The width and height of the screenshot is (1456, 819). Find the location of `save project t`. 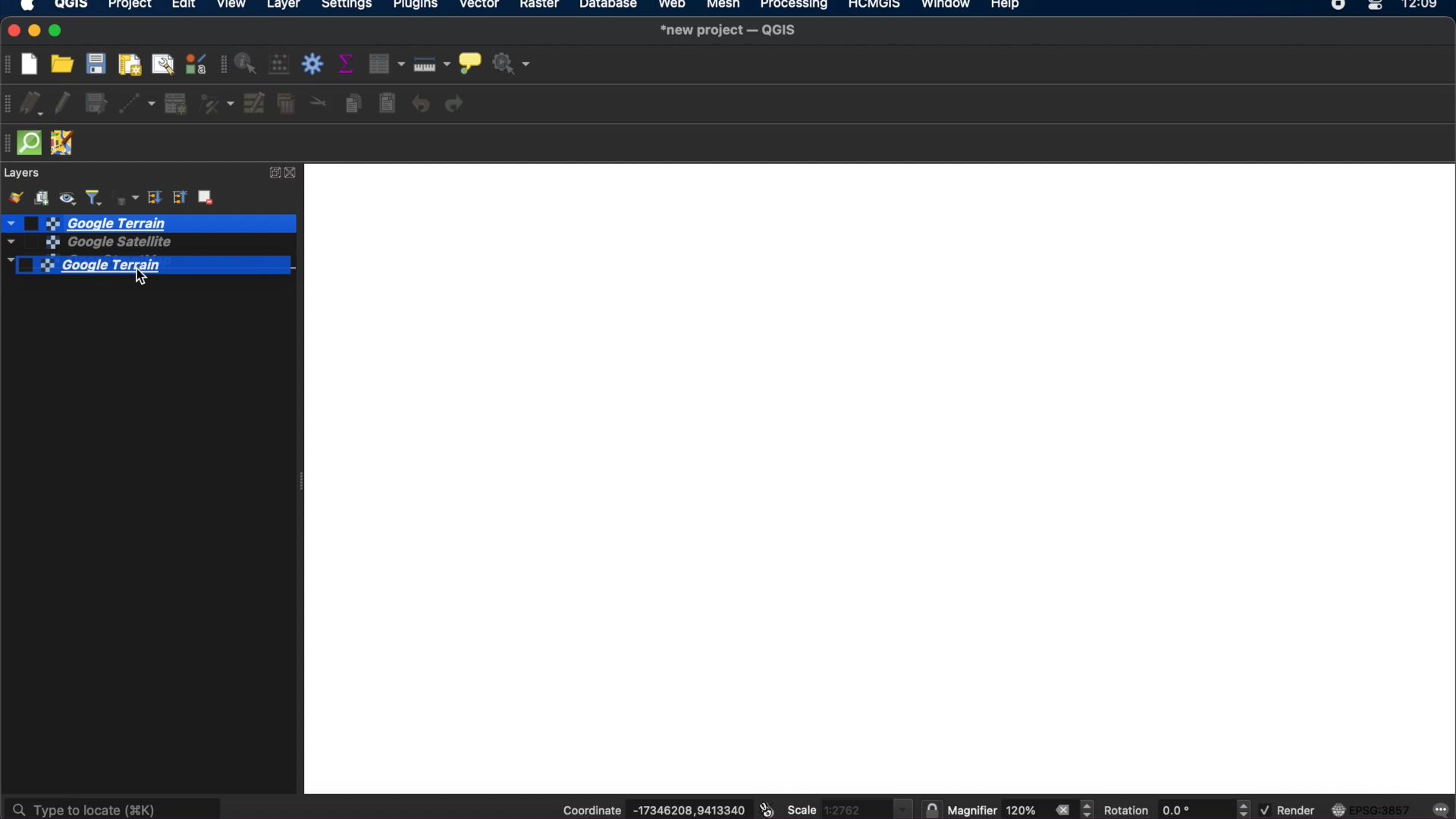

save project t is located at coordinates (97, 64).